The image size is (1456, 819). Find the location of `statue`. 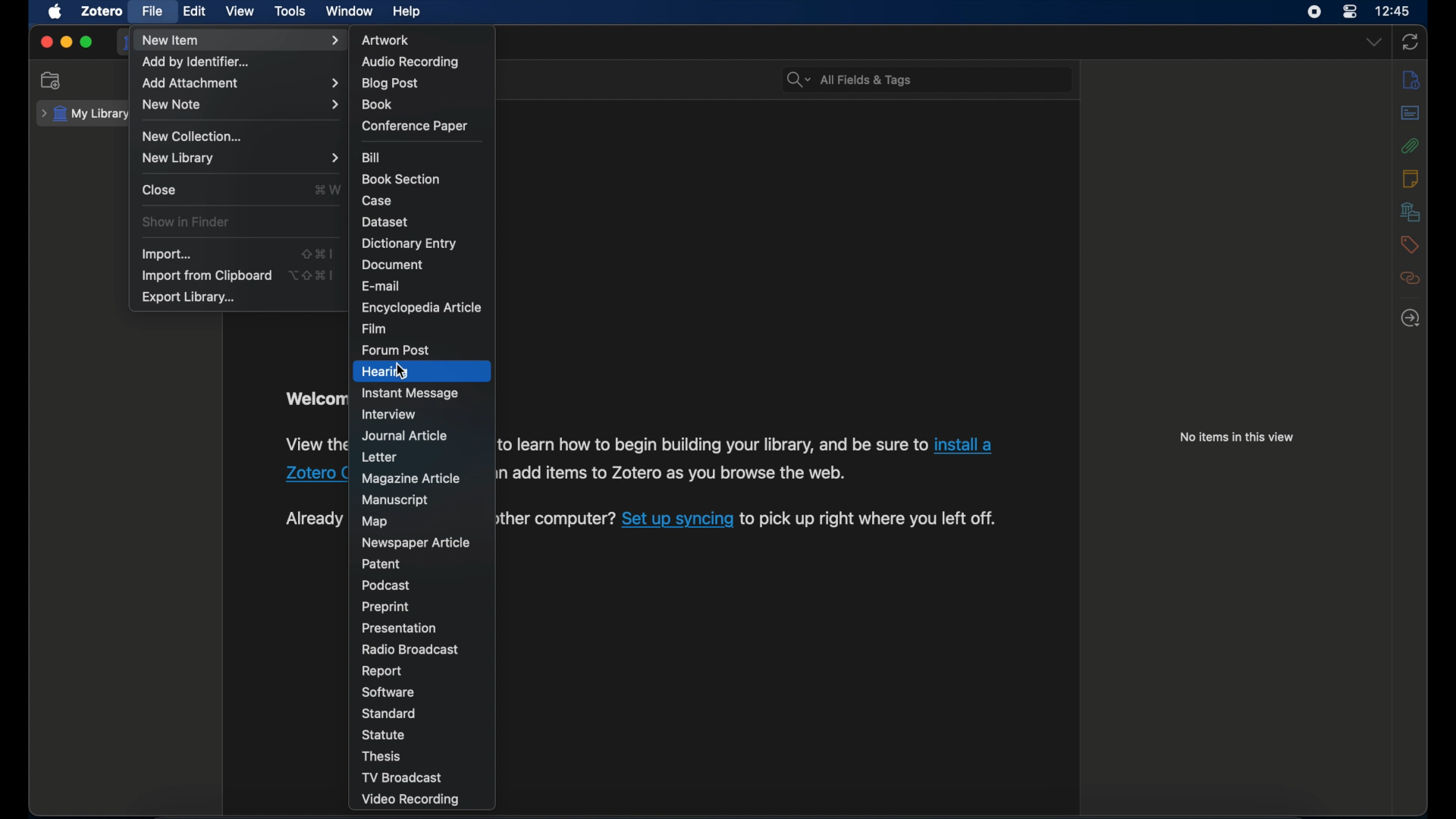

statue is located at coordinates (383, 734).